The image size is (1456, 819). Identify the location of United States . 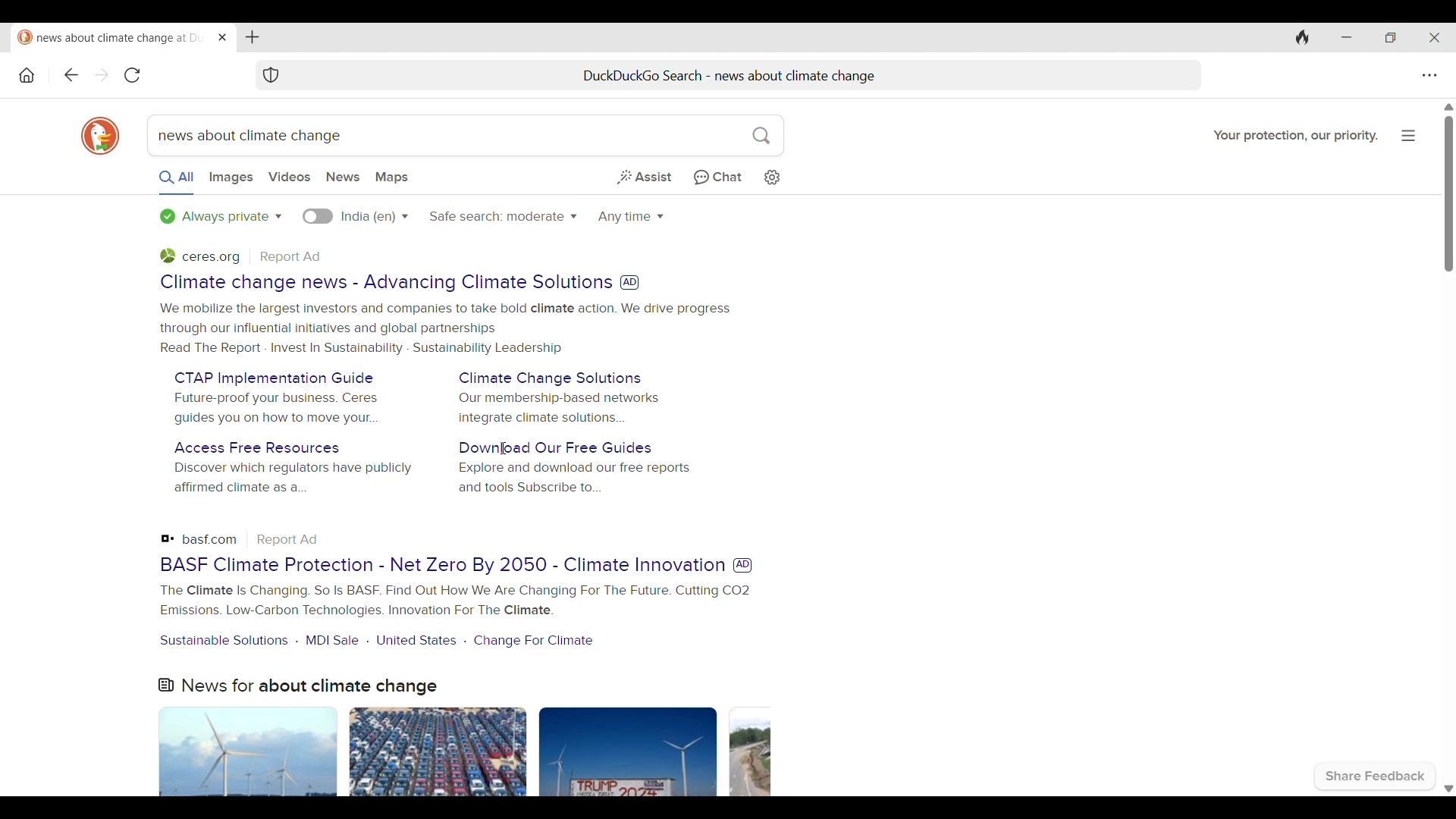
(416, 641).